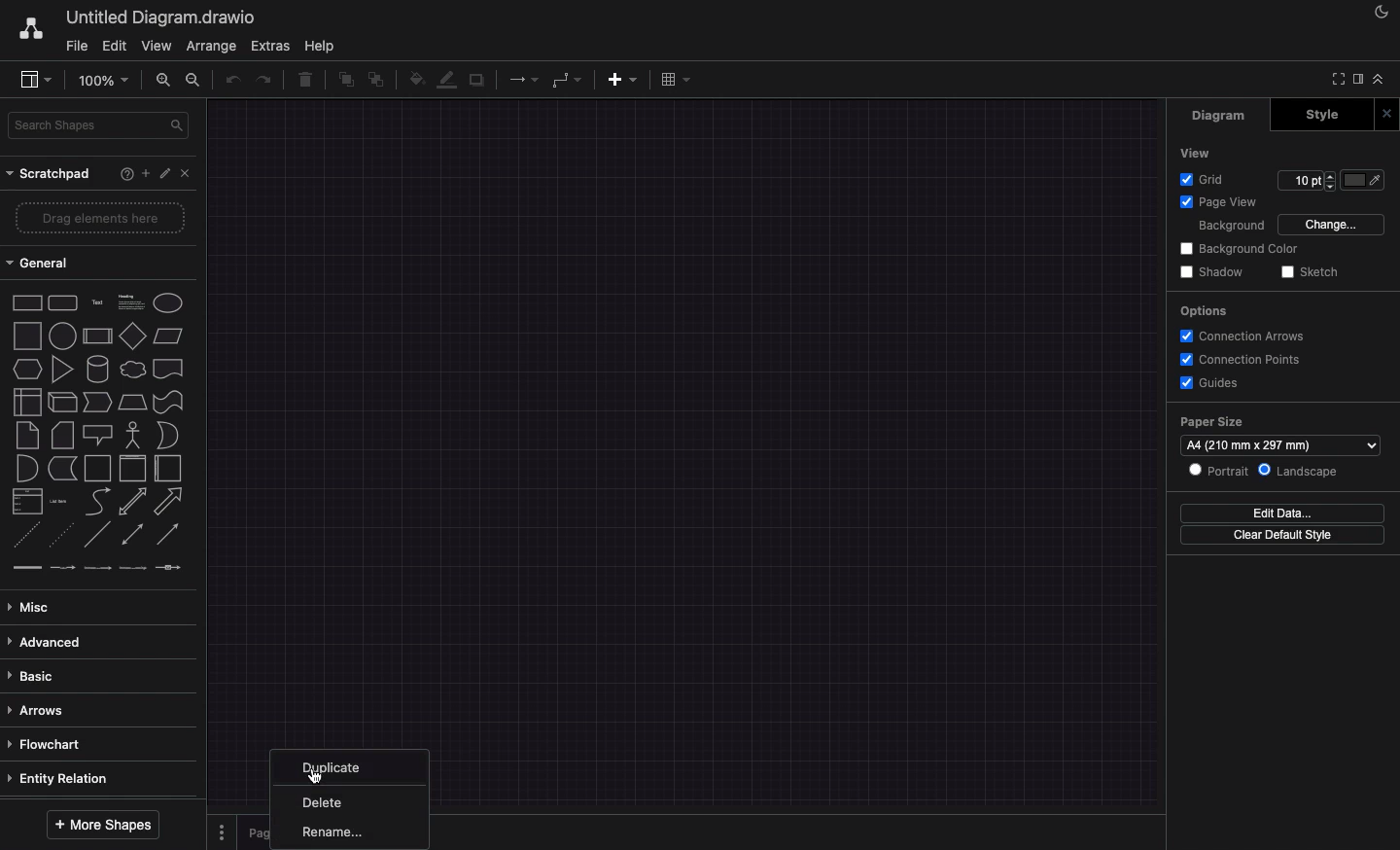 The image size is (1400, 850). Describe the element at coordinates (1379, 79) in the screenshot. I see `collapse` at that location.